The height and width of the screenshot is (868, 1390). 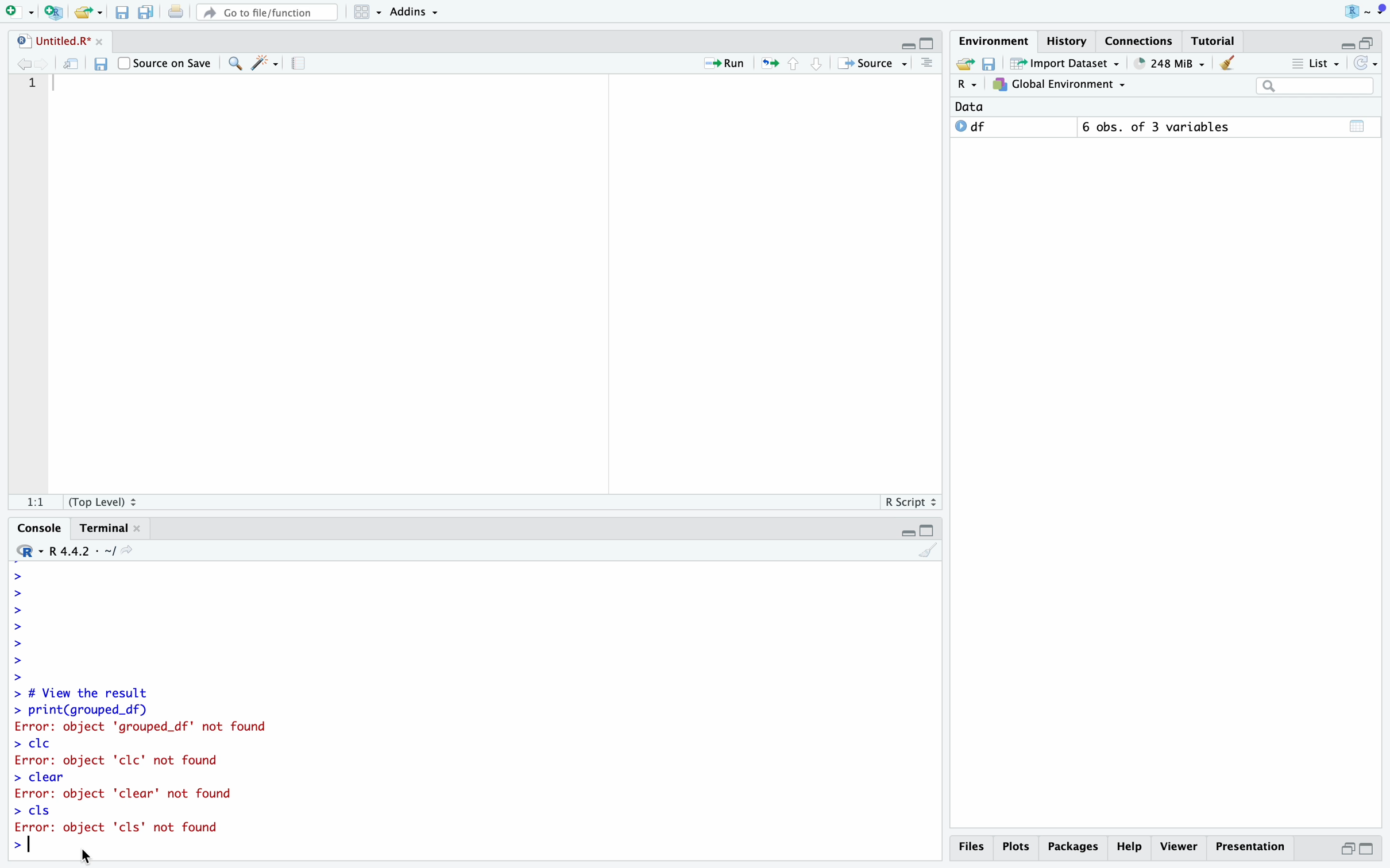 I want to click on Half Height, so click(x=1370, y=42).